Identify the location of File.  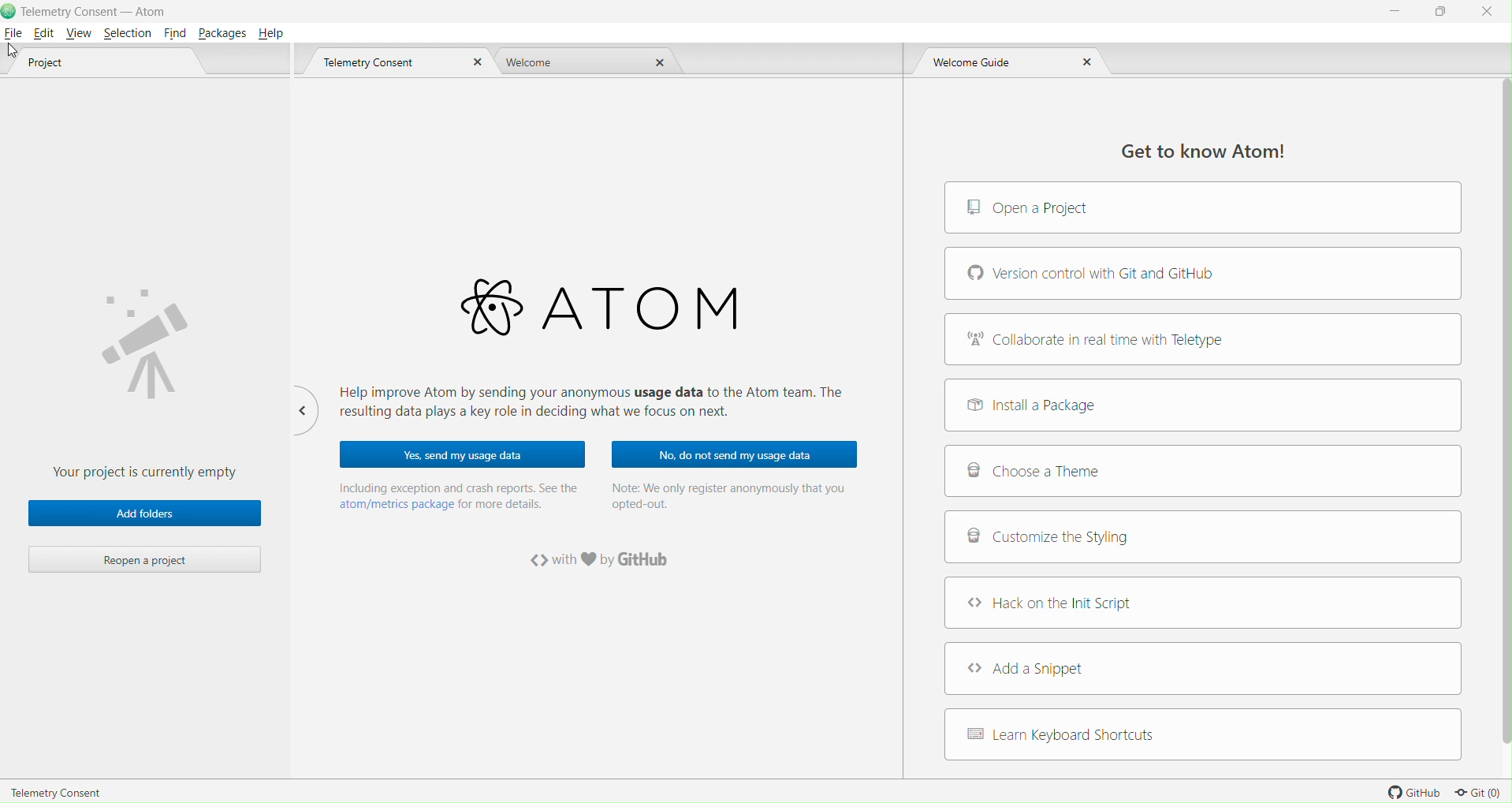
(13, 33).